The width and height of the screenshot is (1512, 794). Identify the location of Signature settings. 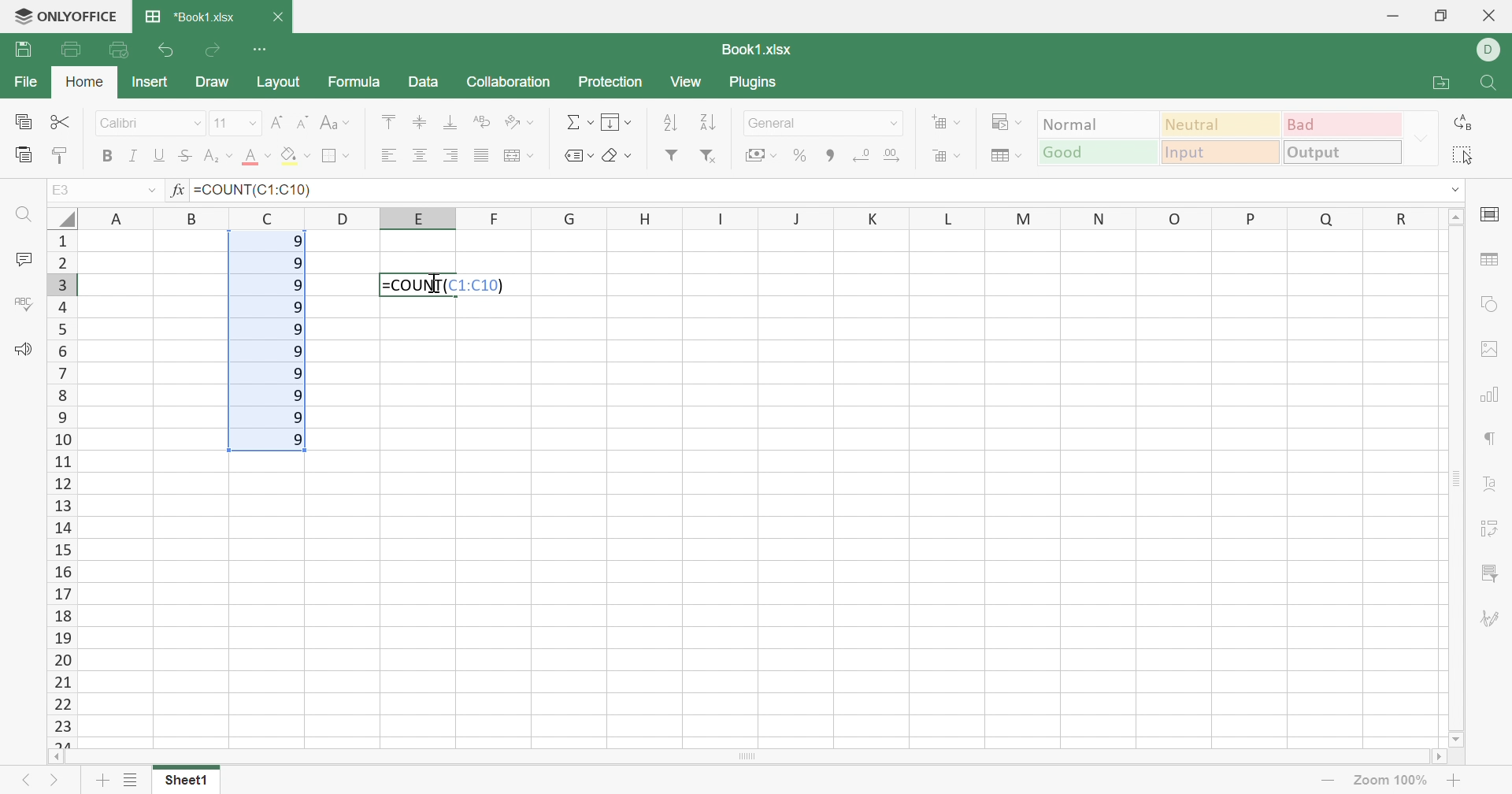
(1492, 619).